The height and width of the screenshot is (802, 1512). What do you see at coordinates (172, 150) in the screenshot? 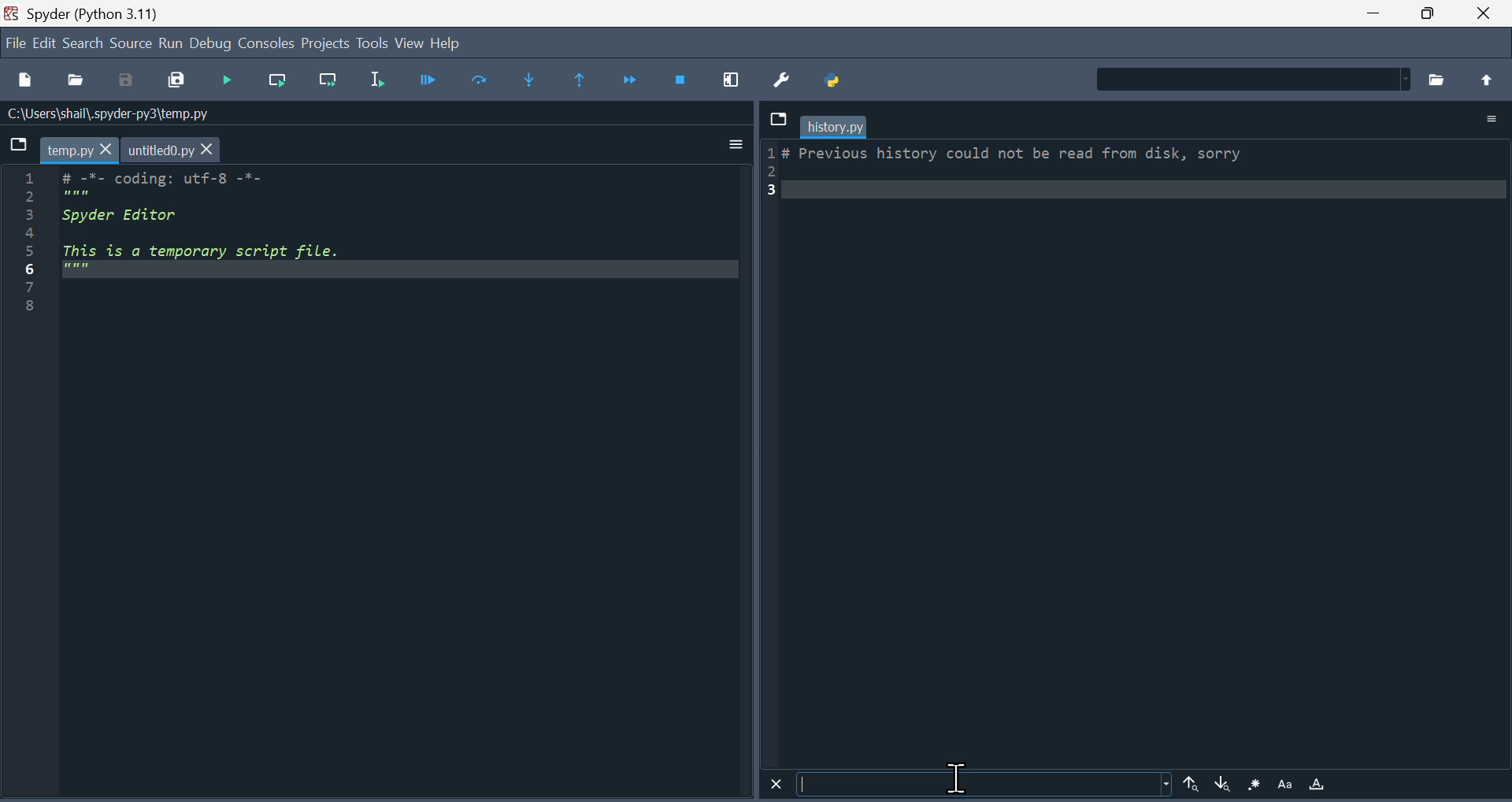
I see `untitled0.py` at bounding box center [172, 150].